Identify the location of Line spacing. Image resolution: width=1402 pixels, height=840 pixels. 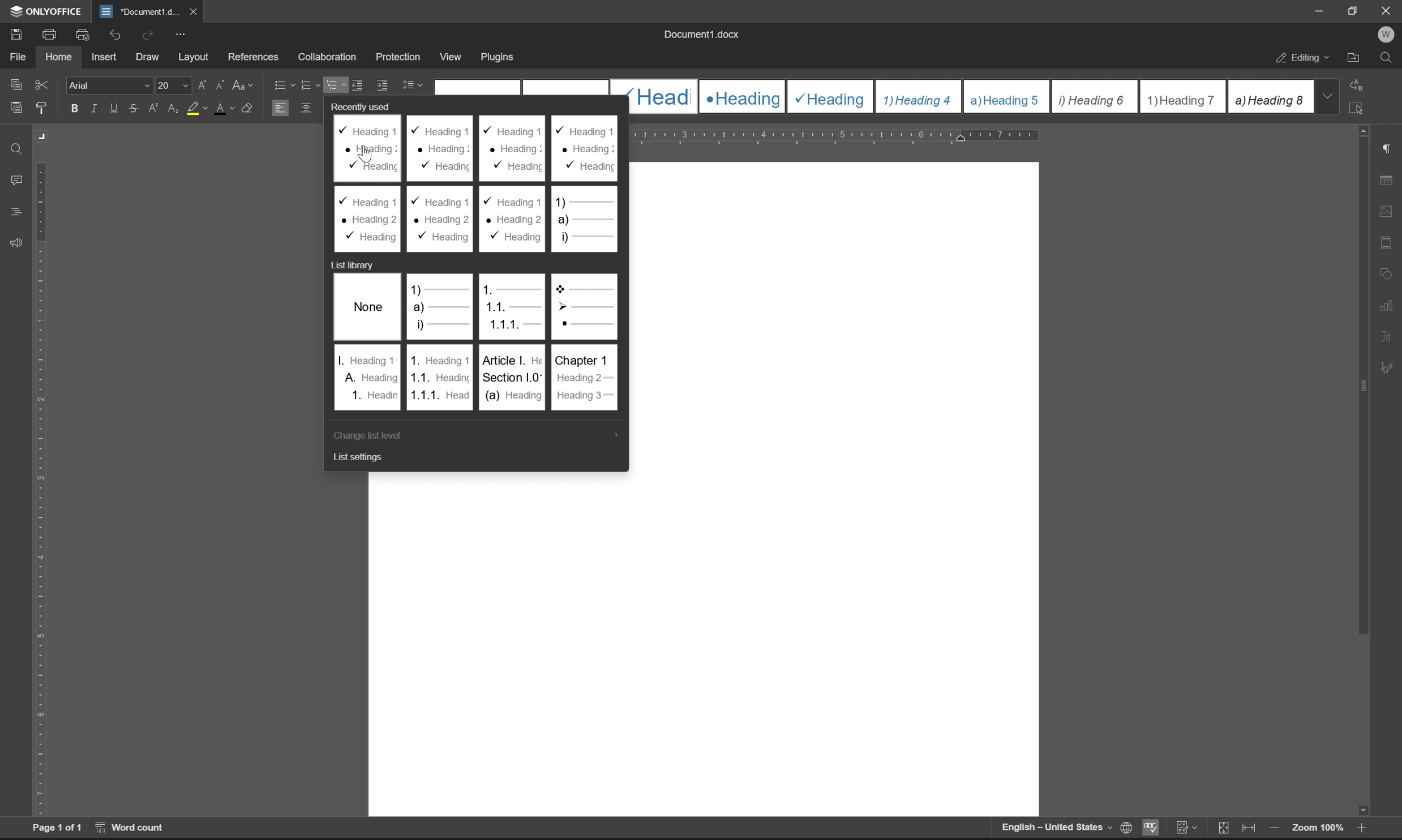
(417, 85).